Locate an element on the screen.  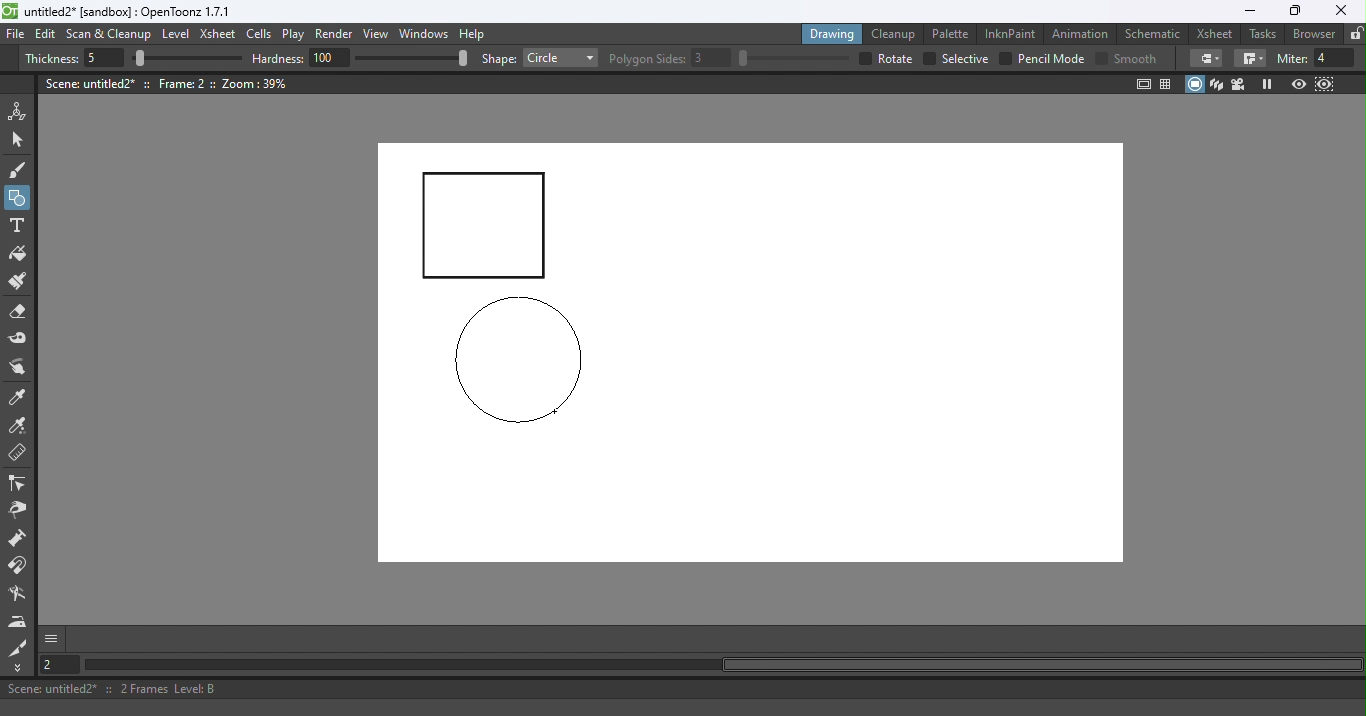
Pinch tool is located at coordinates (17, 513).